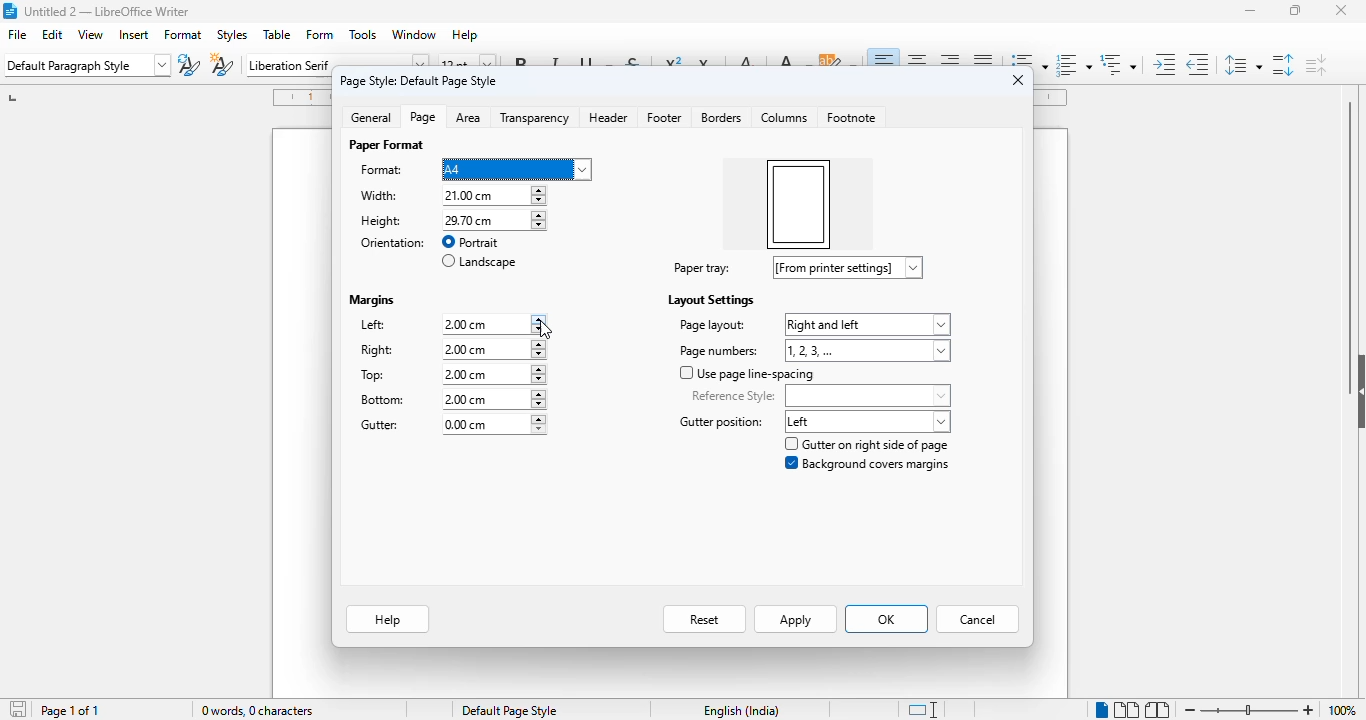 This screenshot has height=720, width=1366. Describe the element at coordinates (539, 375) in the screenshot. I see `increment or decrement ` at that location.